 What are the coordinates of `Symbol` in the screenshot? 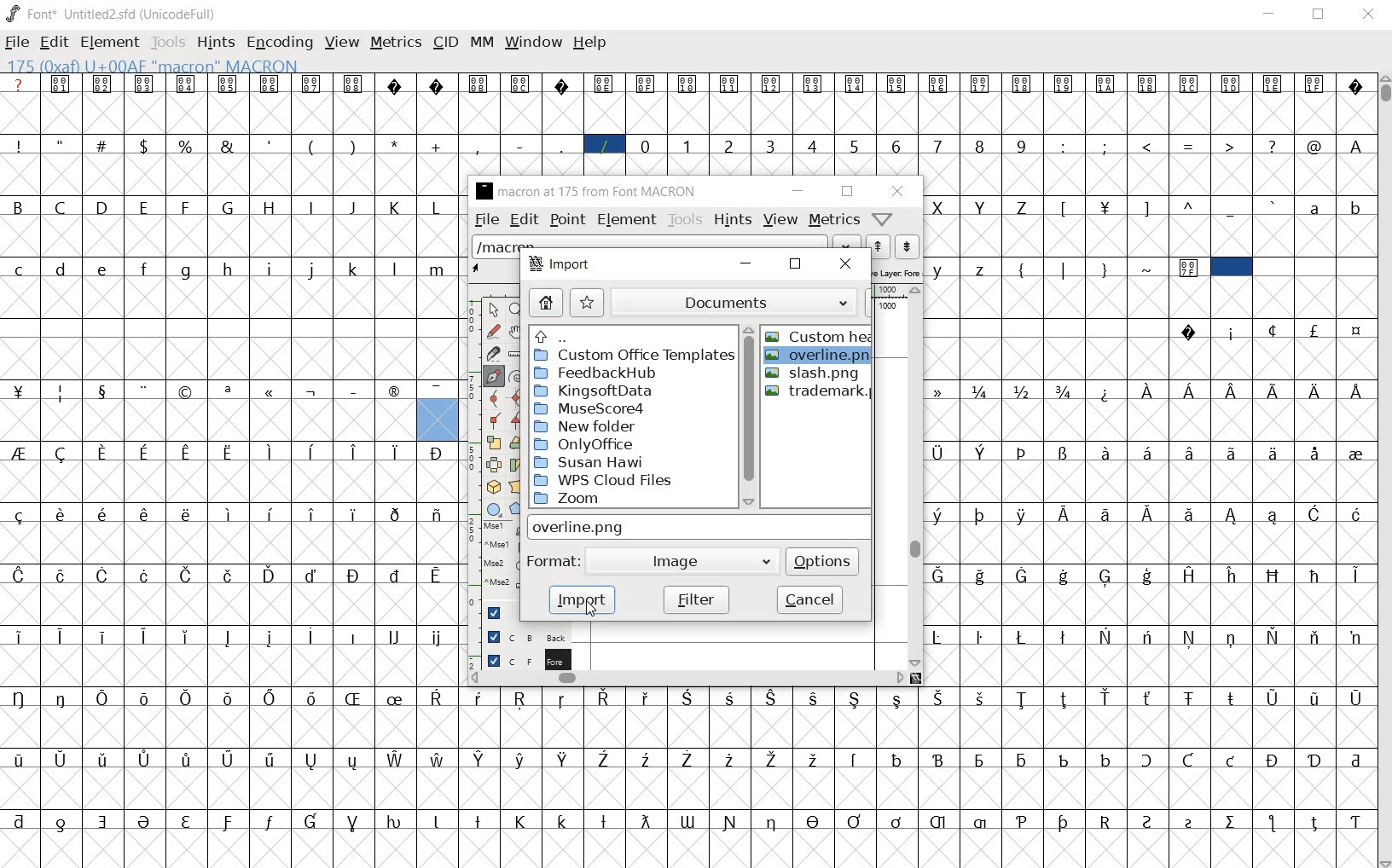 It's located at (1024, 576).